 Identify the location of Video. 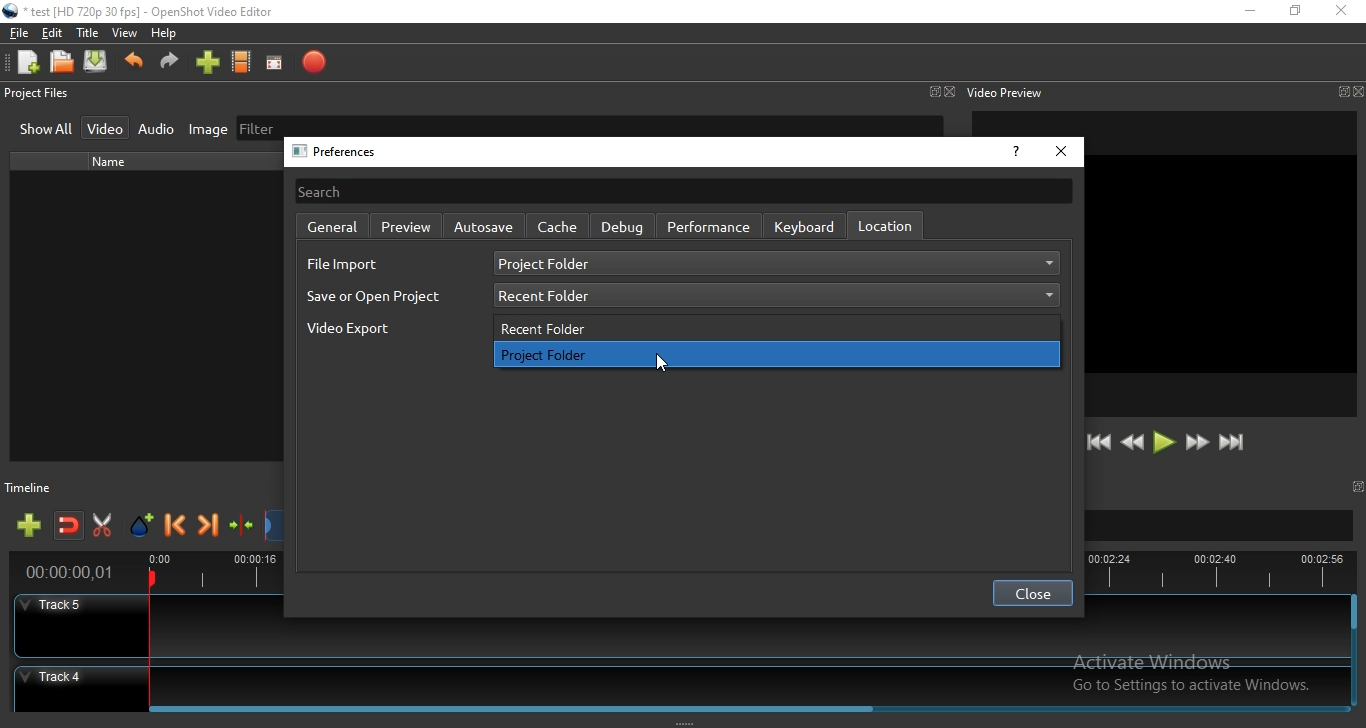
(107, 127).